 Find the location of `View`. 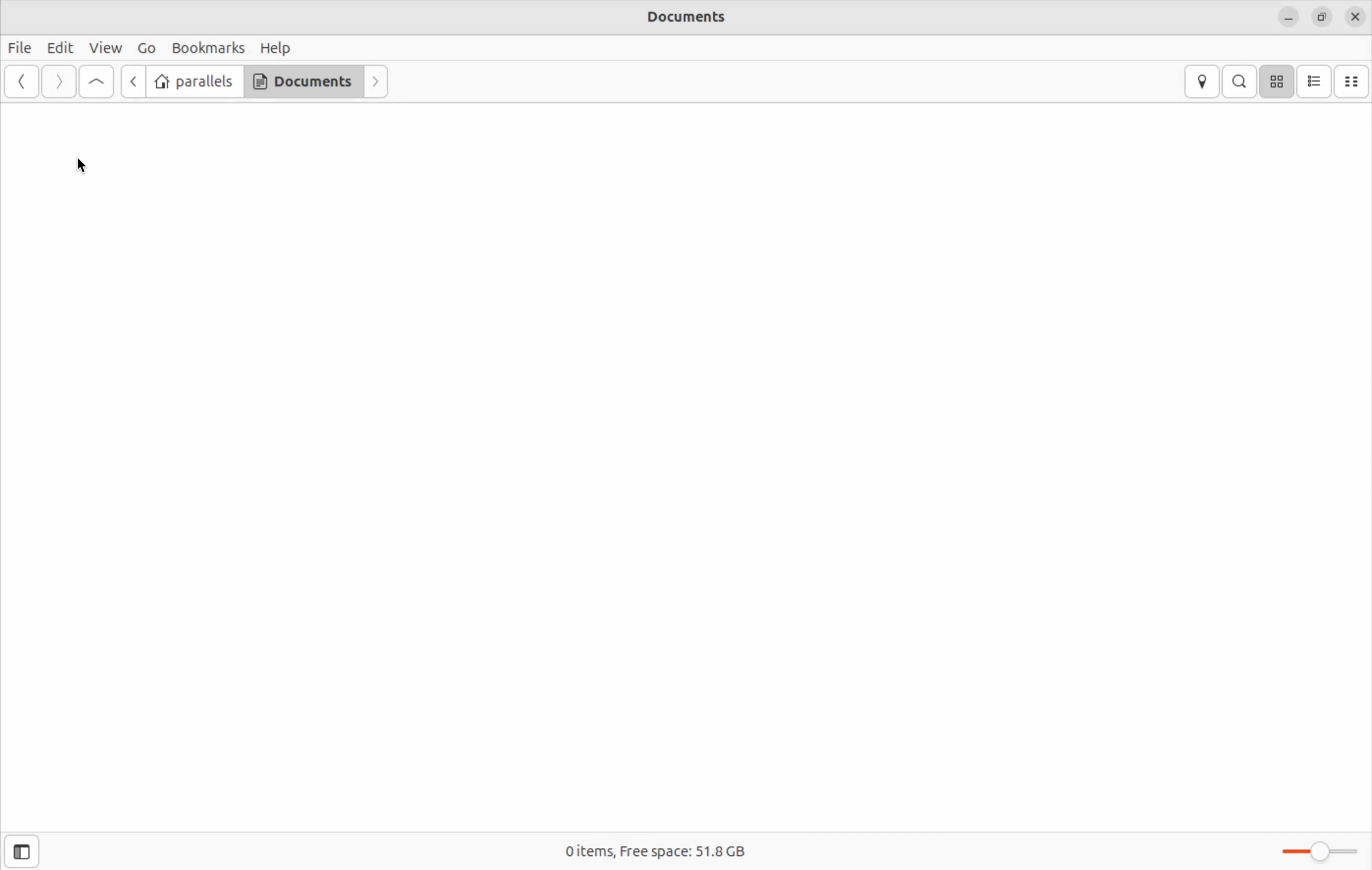

View is located at coordinates (106, 49).